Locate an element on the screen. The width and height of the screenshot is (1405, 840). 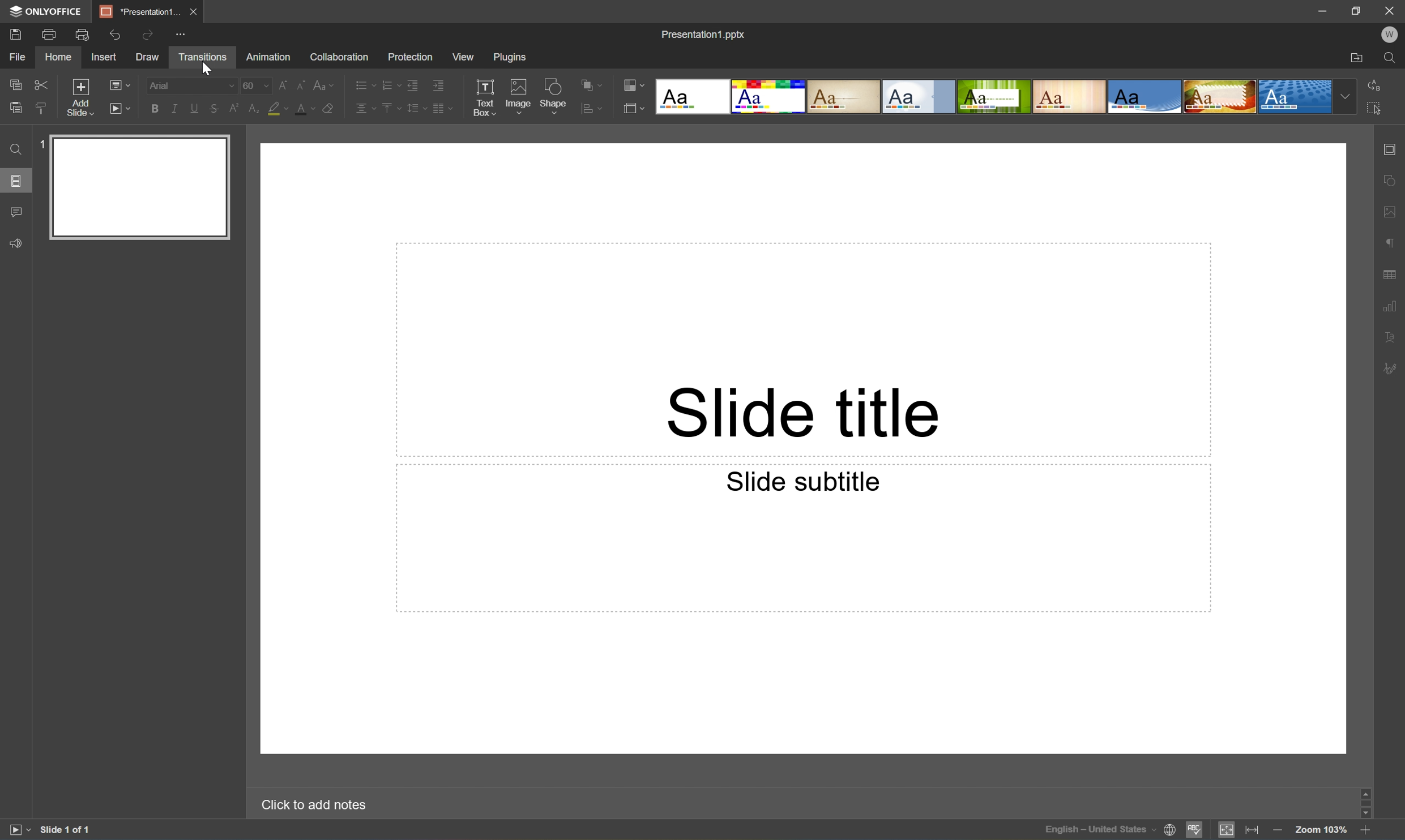
Green Leaf is located at coordinates (995, 97).